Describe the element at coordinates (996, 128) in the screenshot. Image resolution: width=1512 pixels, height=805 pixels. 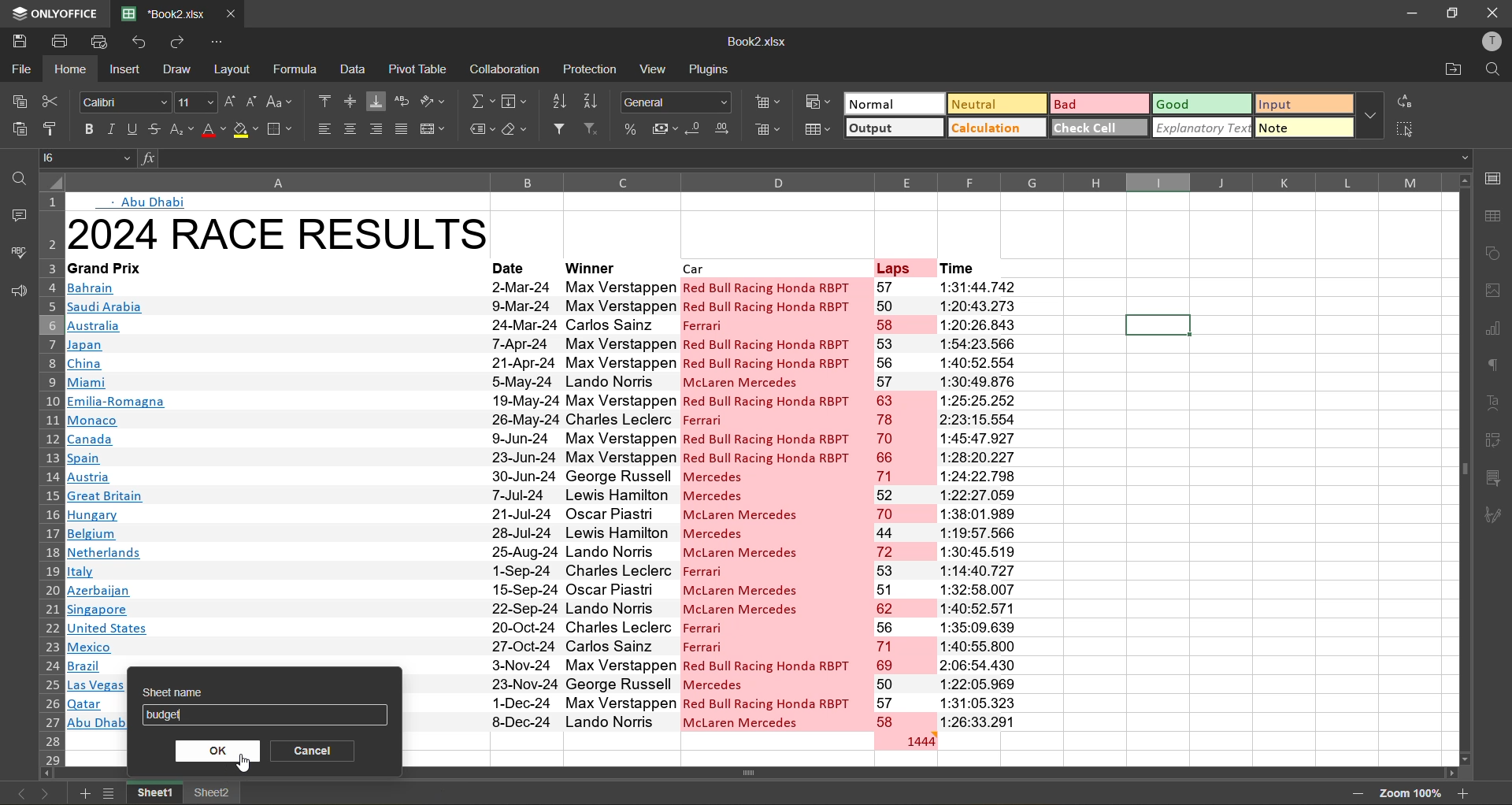
I see `calculation` at that location.